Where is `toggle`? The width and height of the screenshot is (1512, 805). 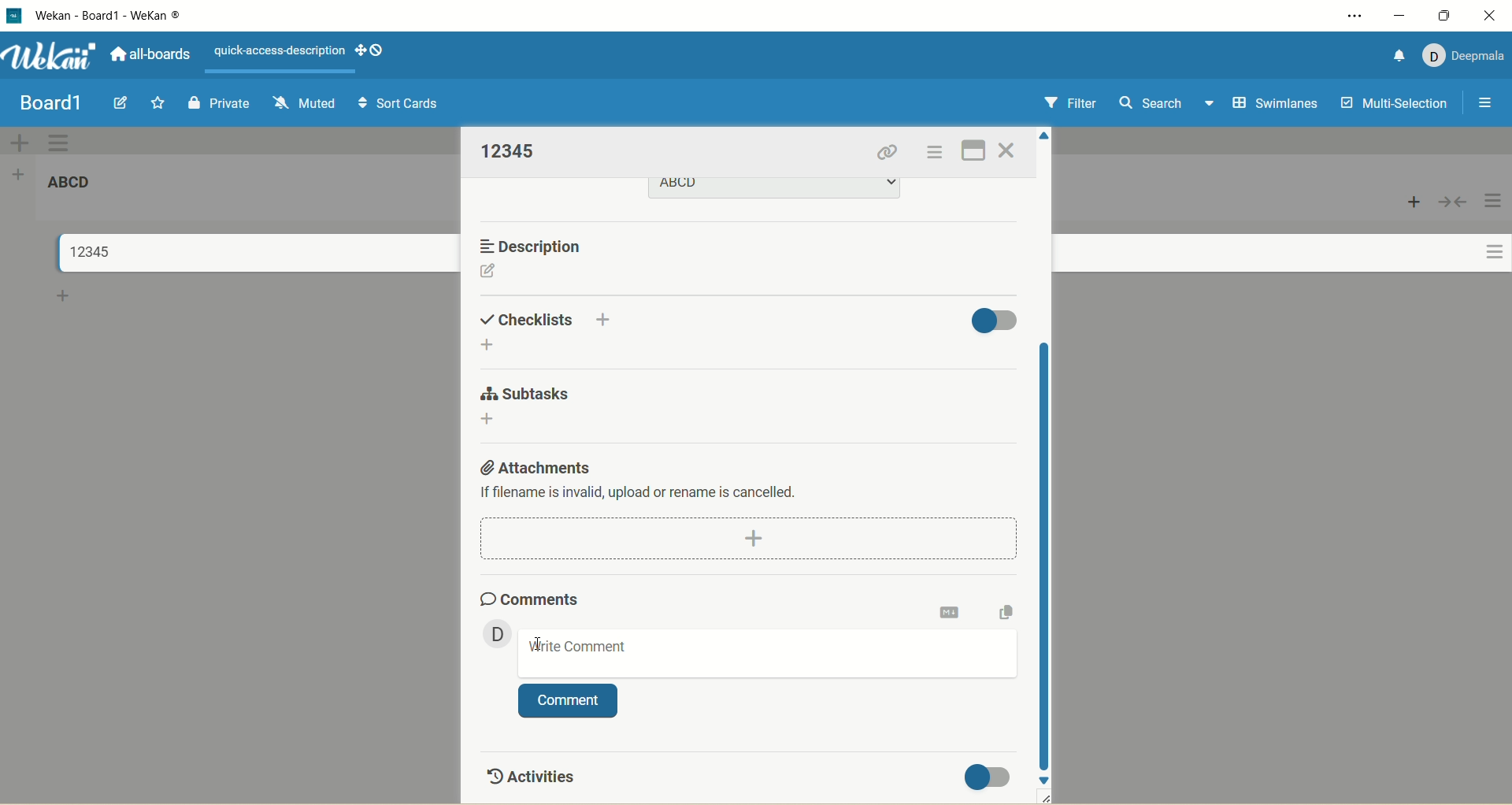 toggle is located at coordinates (991, 777).